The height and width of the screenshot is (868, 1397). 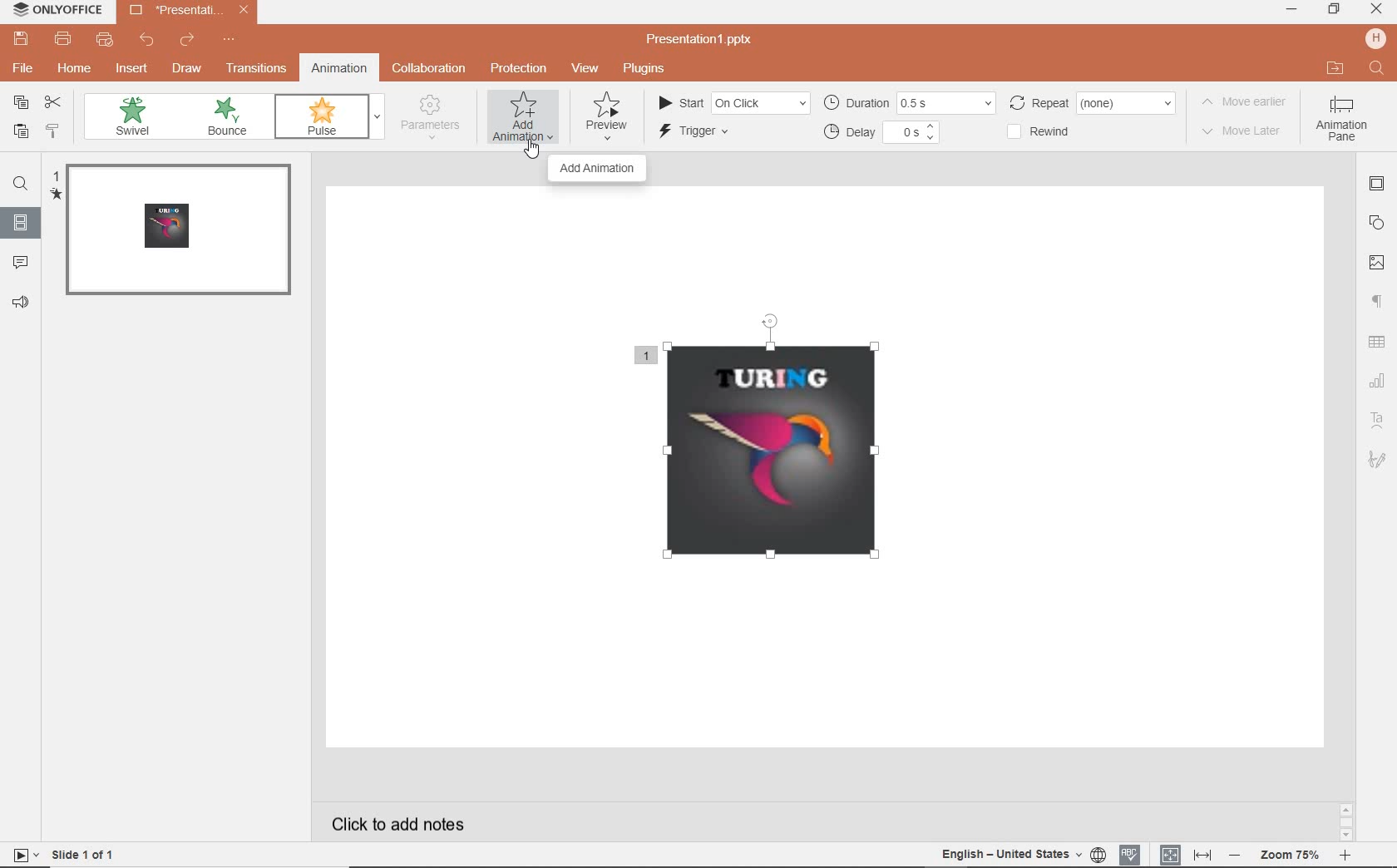 What do you see at coordinates (1335, 68) in the screenshot?
I see `open file location` at bounding box center [1335, 68].